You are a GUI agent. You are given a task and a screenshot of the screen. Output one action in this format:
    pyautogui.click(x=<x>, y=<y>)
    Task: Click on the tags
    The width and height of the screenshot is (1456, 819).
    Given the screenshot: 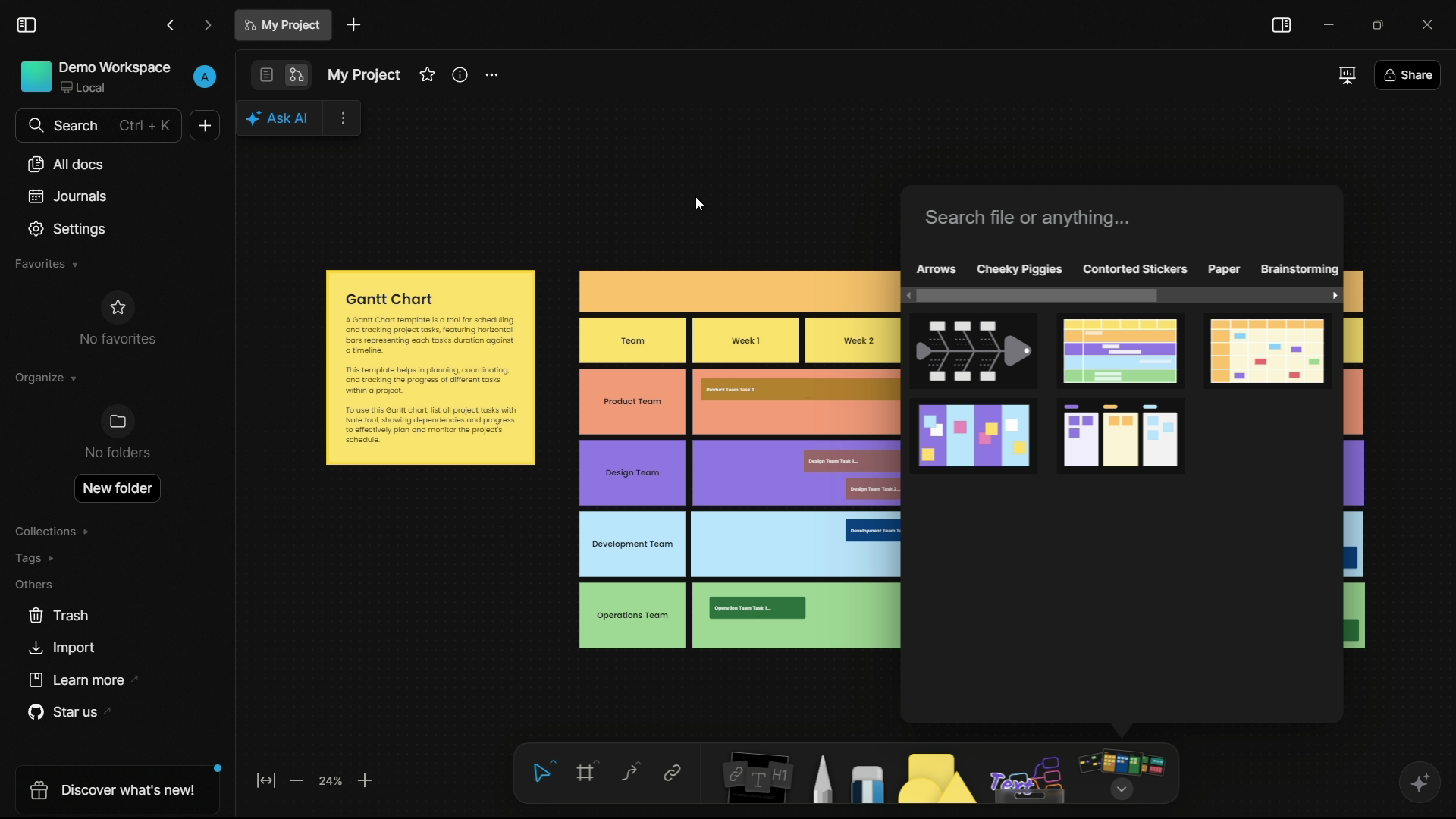 What is the action you would take?
    pyautogui.click(x=38, y=557)
    